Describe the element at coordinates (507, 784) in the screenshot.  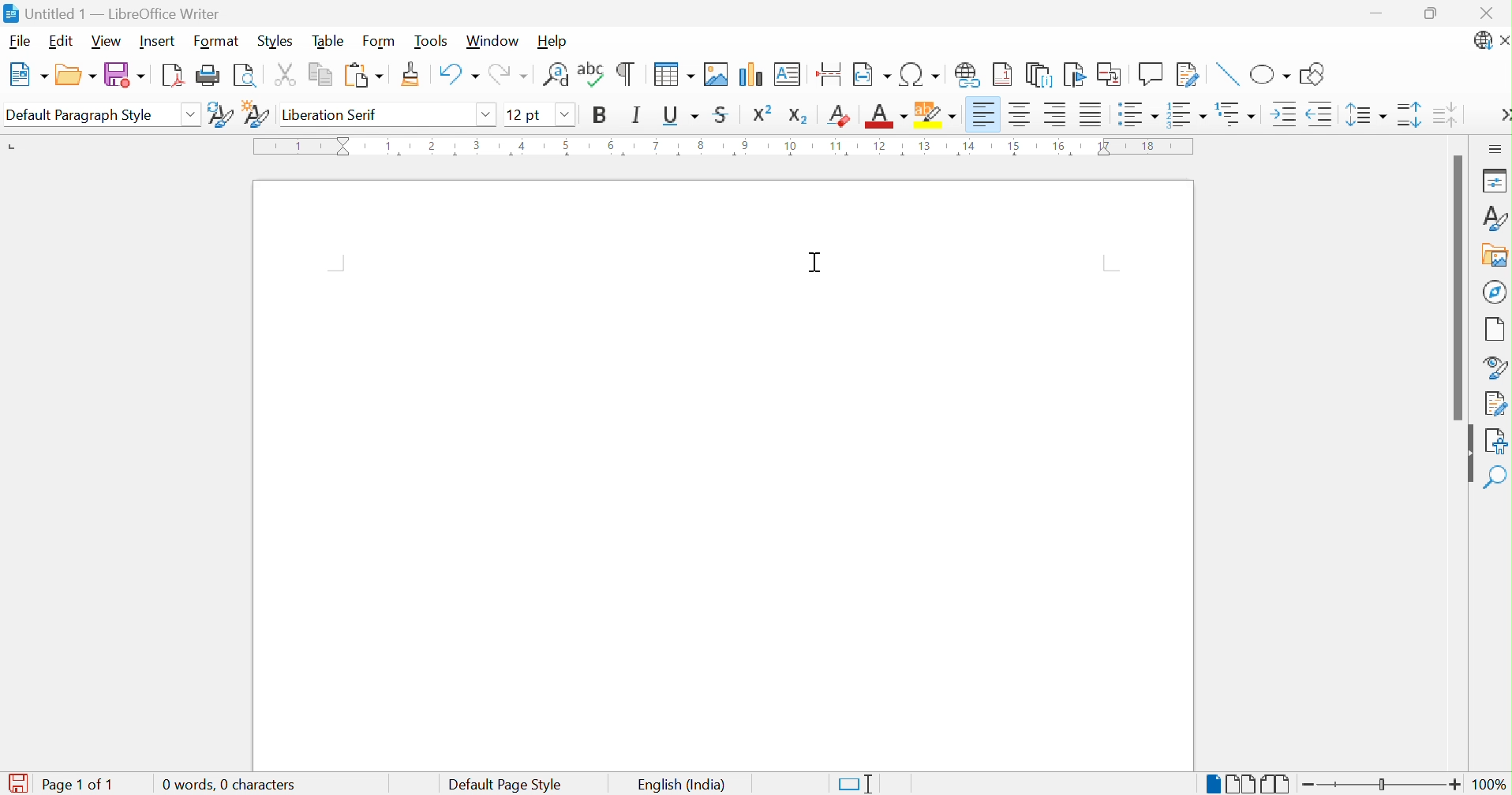
I see `Default page style` at that location.